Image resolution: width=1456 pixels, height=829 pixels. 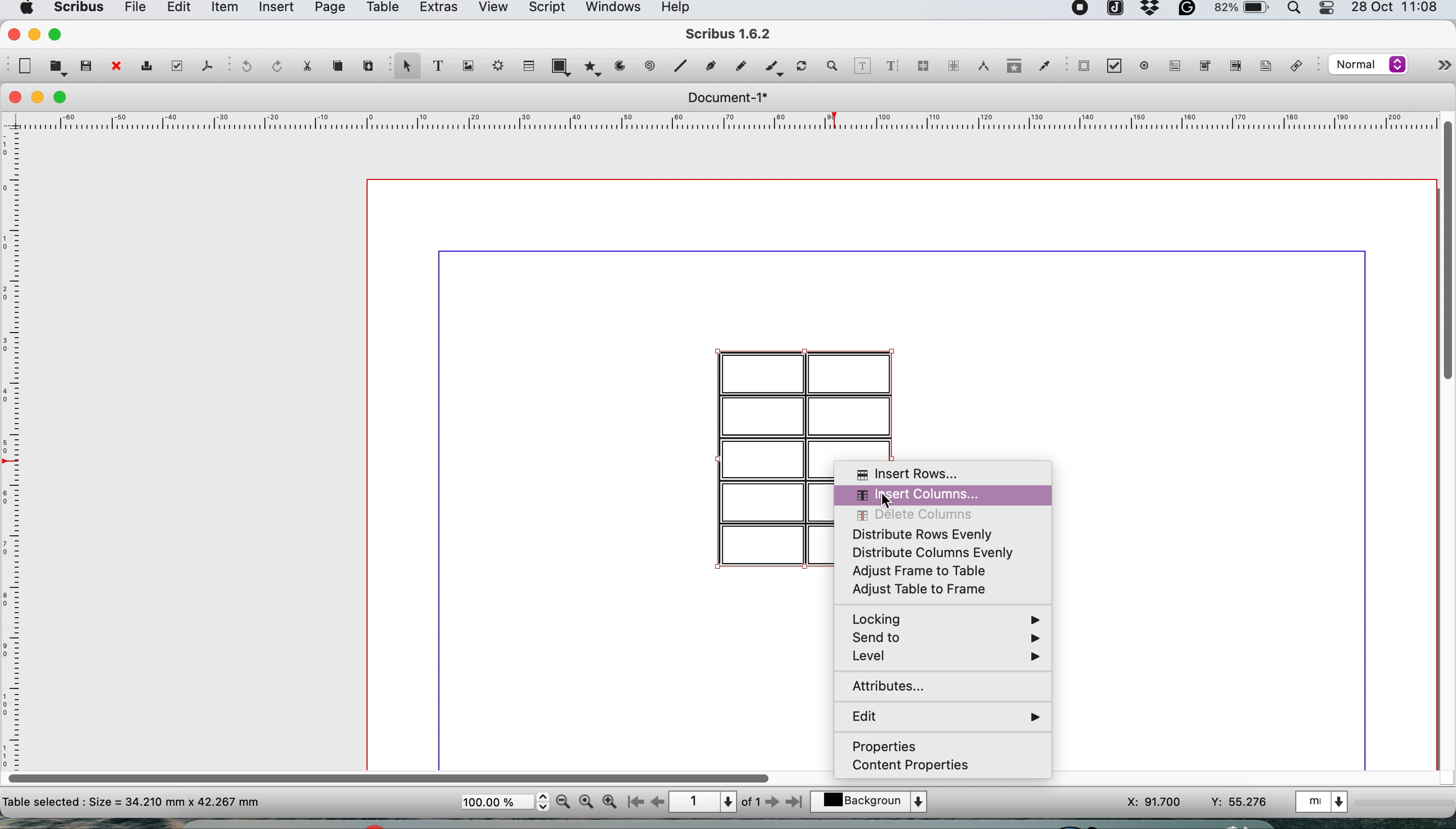 I want to click on shape, so click(x=564, y=66).